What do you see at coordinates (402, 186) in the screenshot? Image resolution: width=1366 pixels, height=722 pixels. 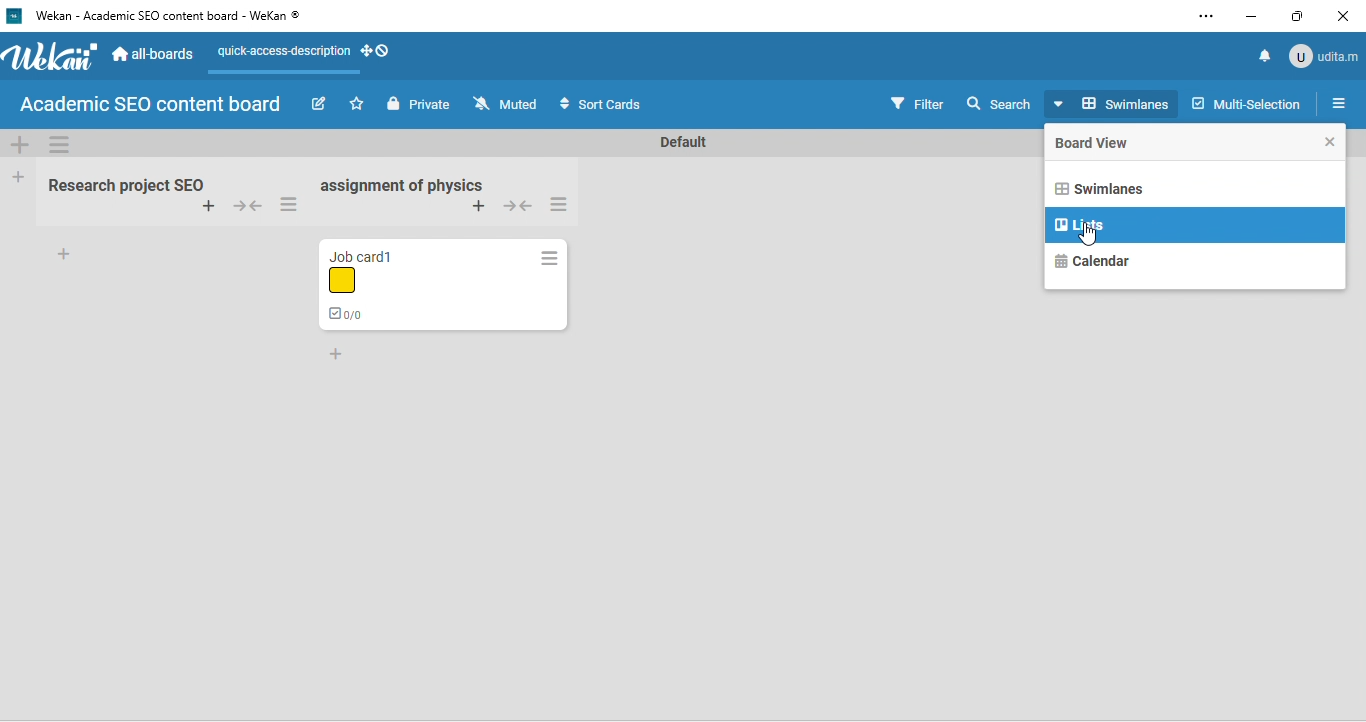 I see `assignment of physics` at bounding box center [402, 186].